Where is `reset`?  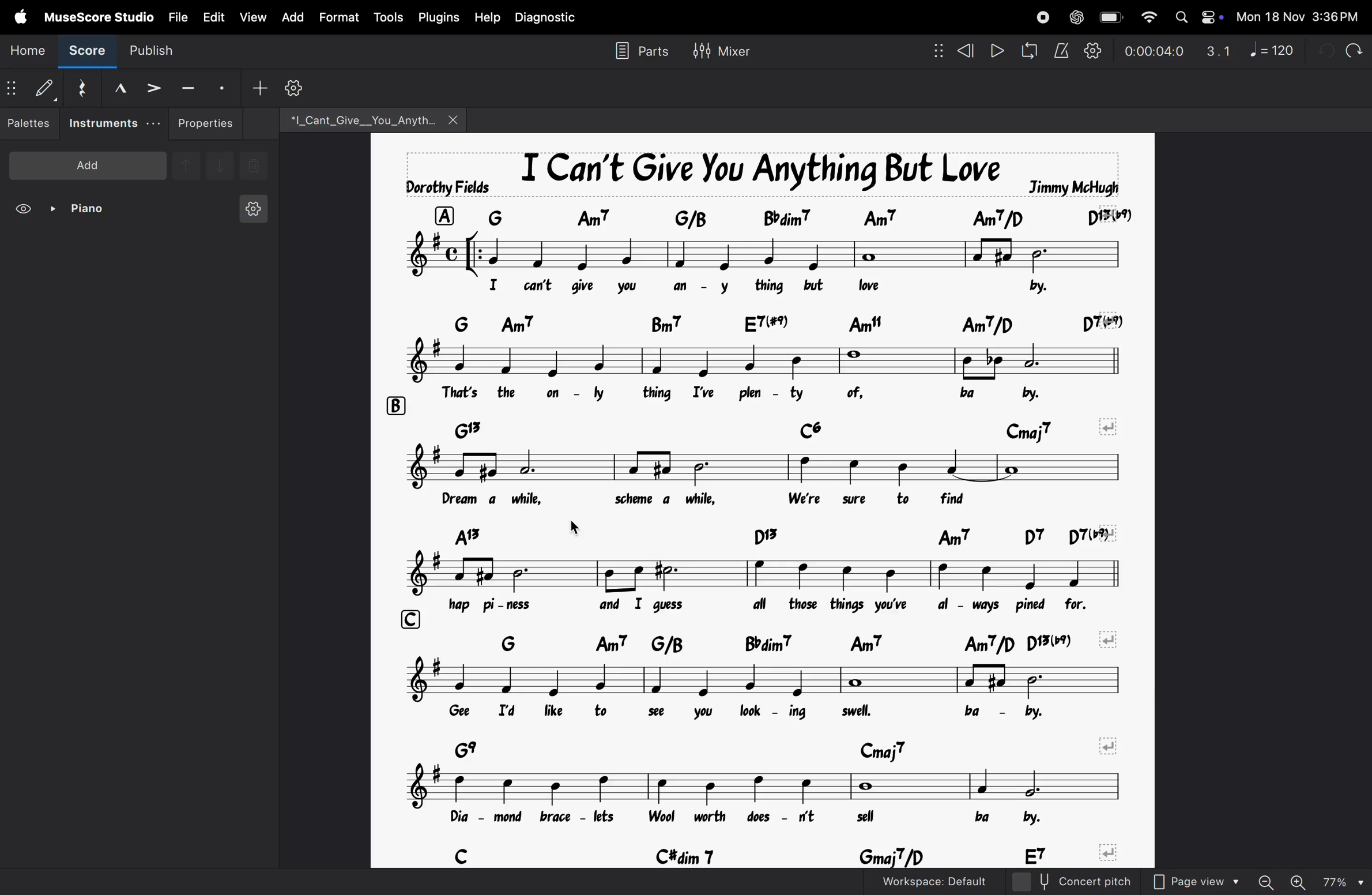
reset is located at coordinates (84, 88).